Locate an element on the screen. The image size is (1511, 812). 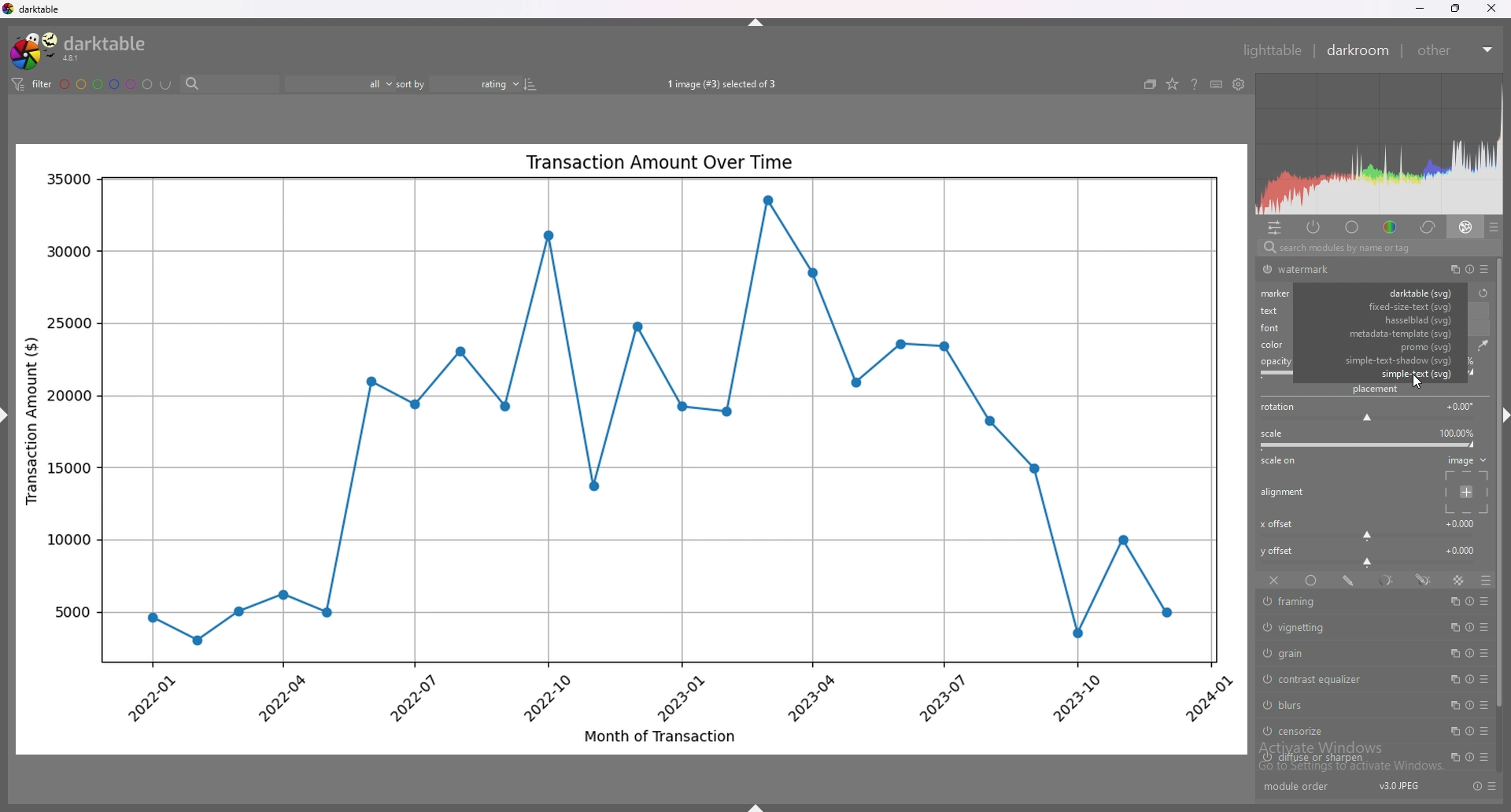
presets is located at coordinates (1486, 628).